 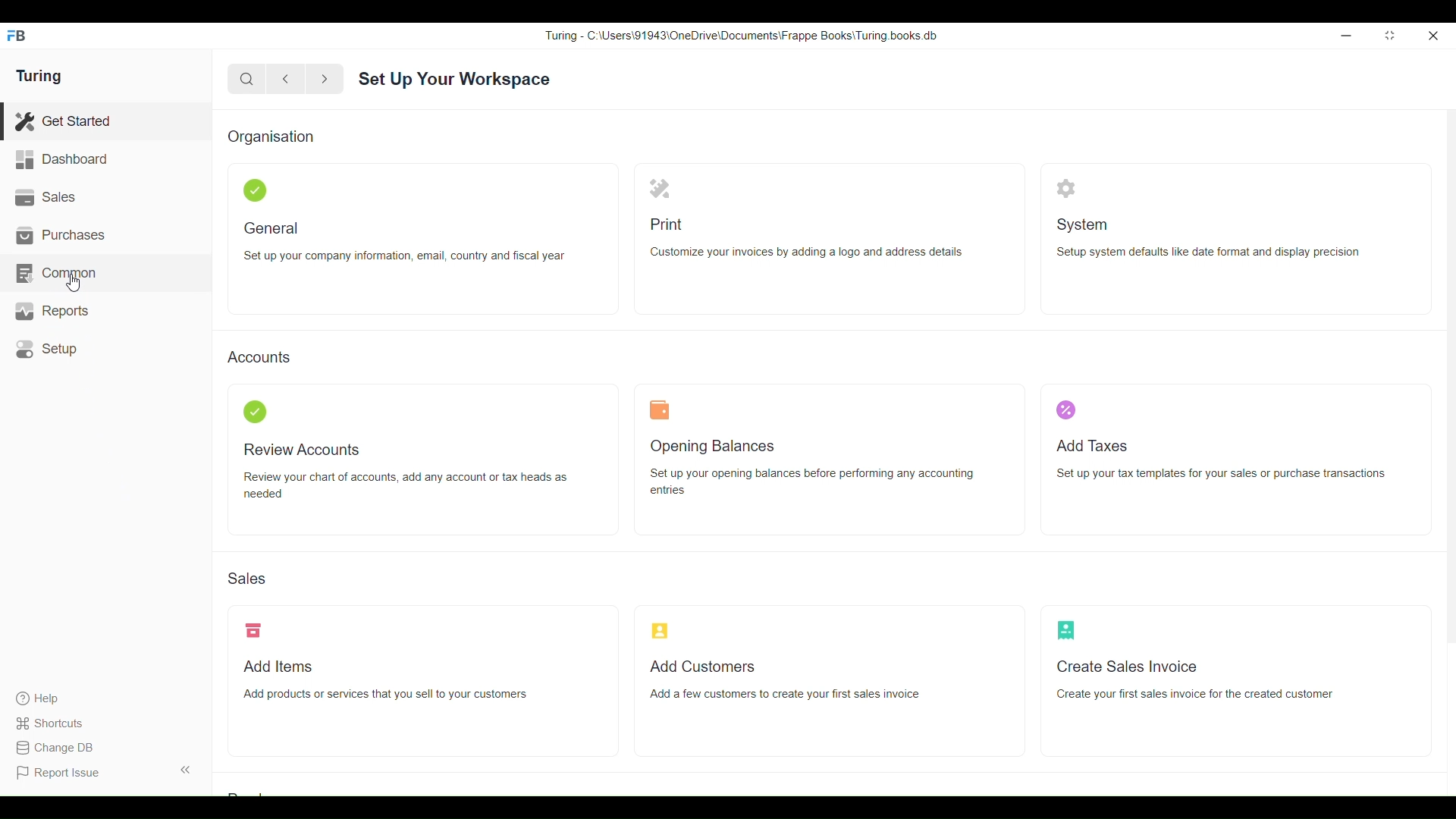 I want to click on Add Items Add products or services that you sell to your customers, so click(x=387, y=680).